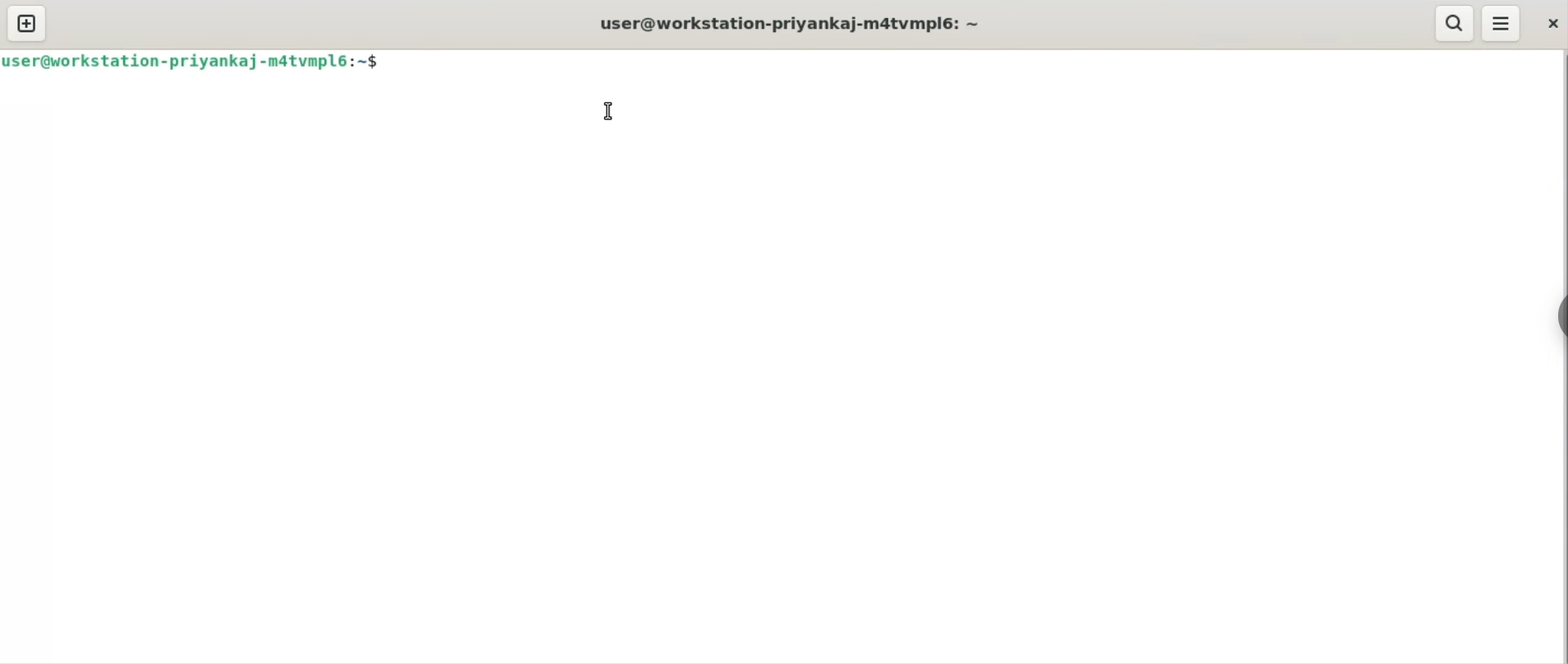 This screenshot has width=1568, height=664. I want to click on Toggle Button, so click(1552, 324).